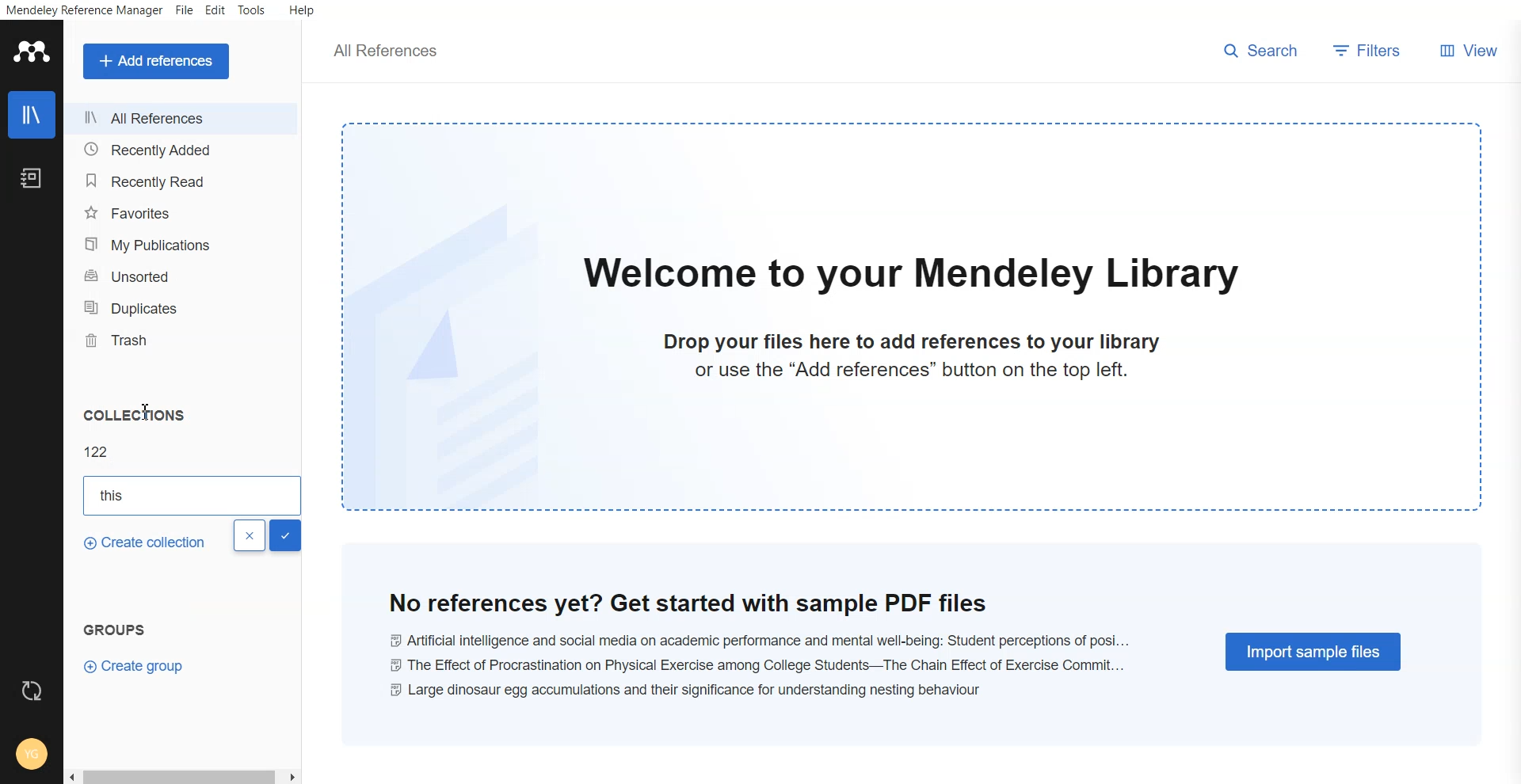  Describe the element at coordinates (1315, 650) in the screenshot. I see `Import simple files` at that location.